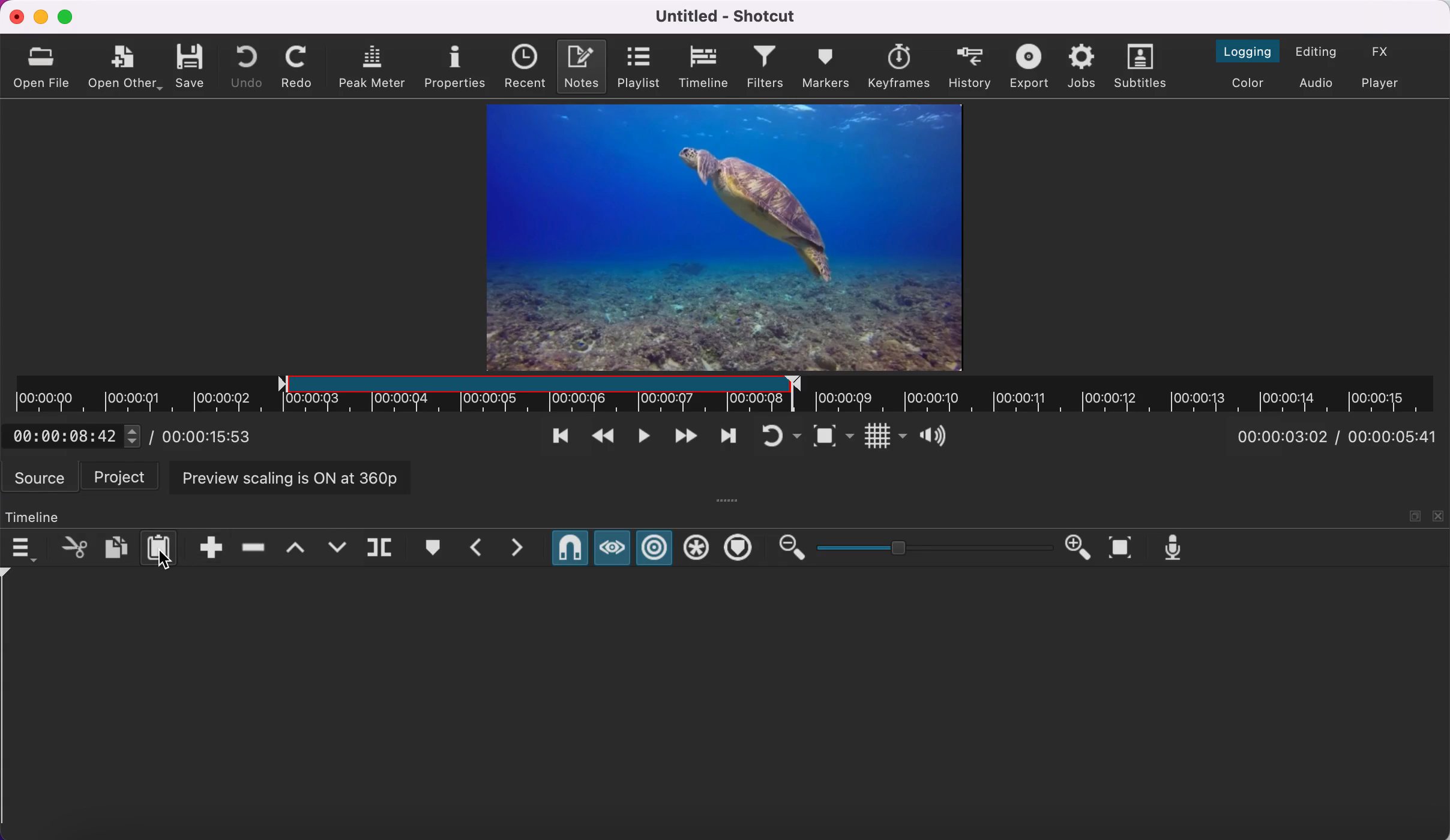 This screenshot has width=1450, height=840. Describe the element at coordinates (290, 479) in the screenshot. I see `preview scaling is on at 360p` at that location.